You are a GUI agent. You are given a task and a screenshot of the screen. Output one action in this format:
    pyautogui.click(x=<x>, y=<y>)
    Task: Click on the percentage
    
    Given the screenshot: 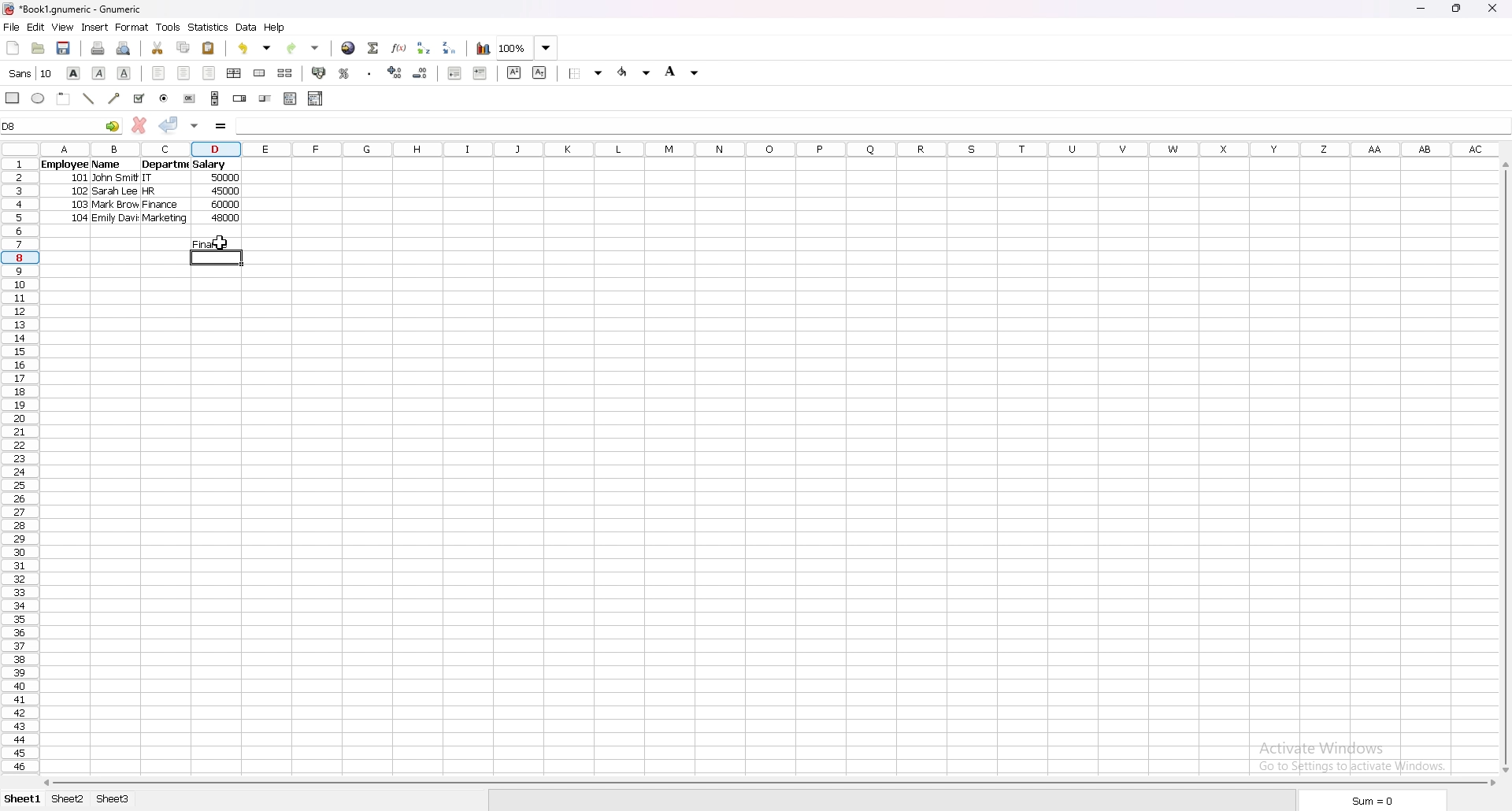 What is the action you would take?
    pyautogui.click(x=345, y=72)
    